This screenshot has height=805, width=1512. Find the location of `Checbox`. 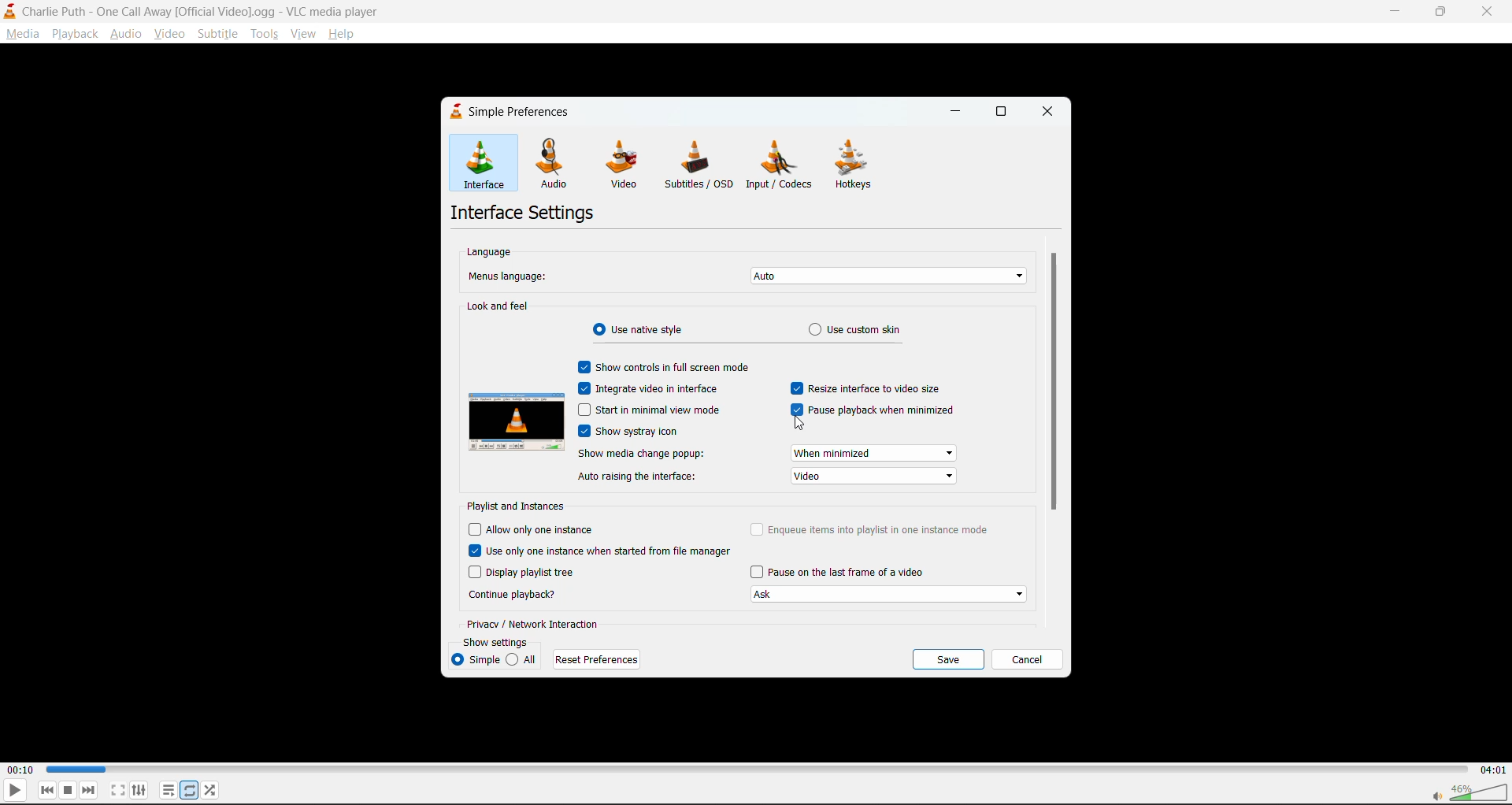

Checbox is located at coordinates (755, 572).